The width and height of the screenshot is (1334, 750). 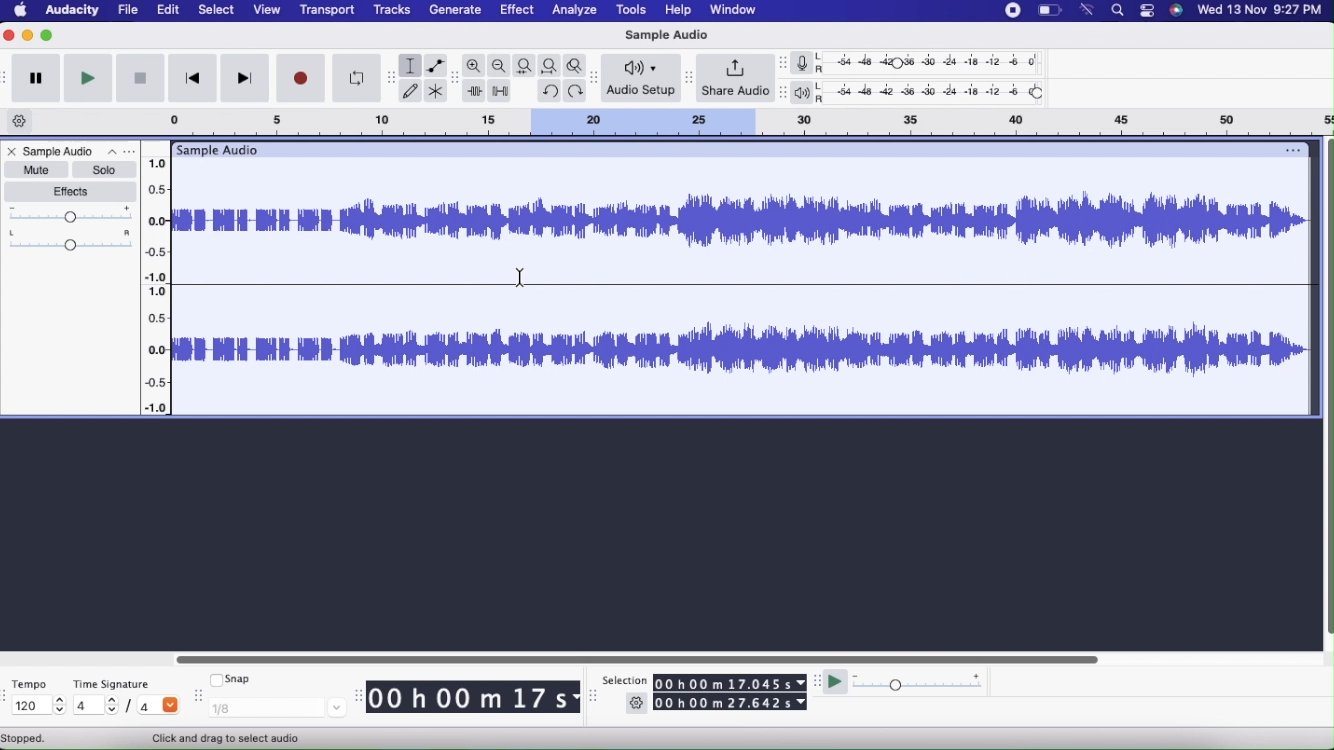 I want to click on Playback level, so click(x=936, y=93).